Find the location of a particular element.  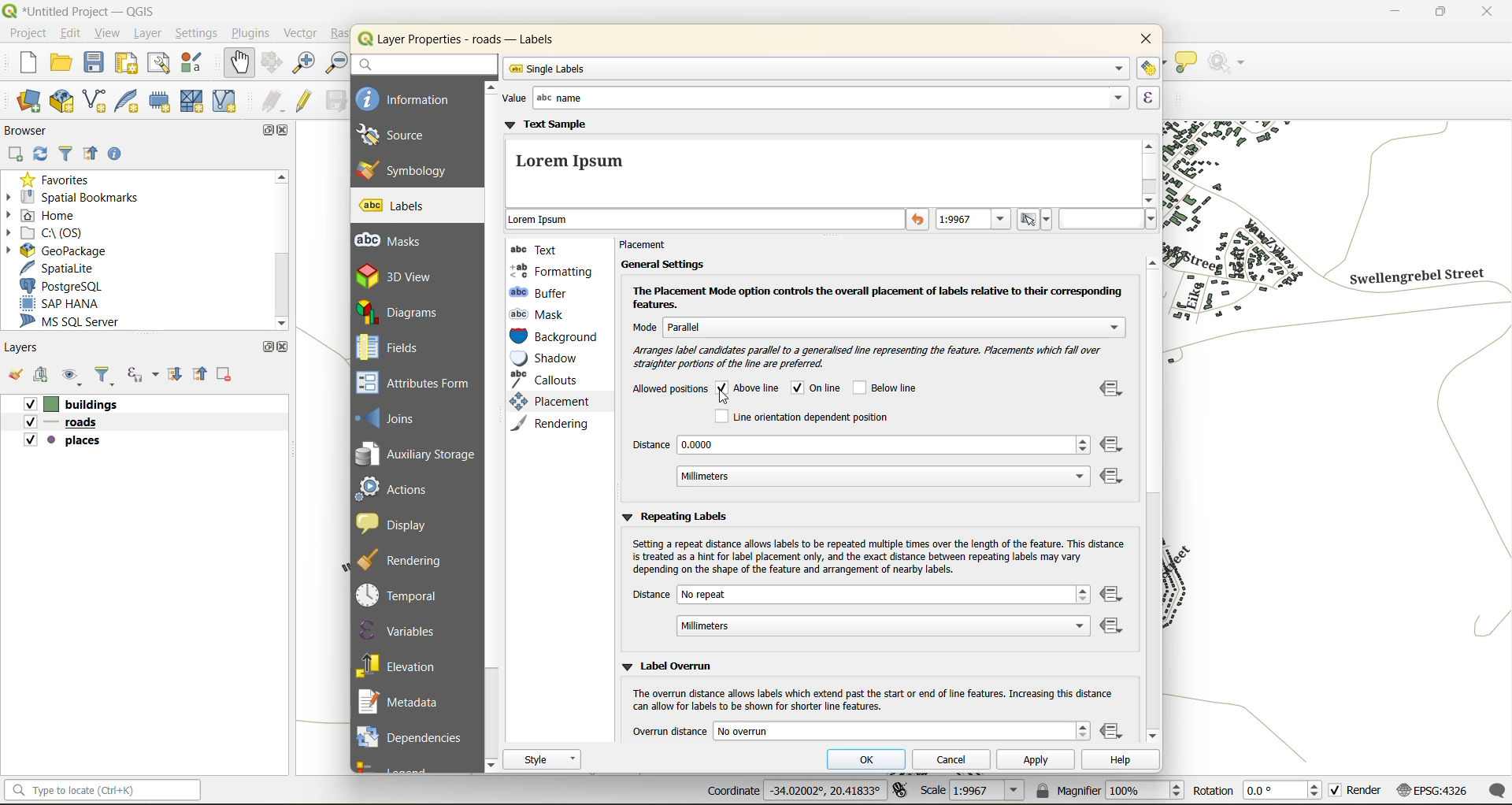

add is located at coordinates (43, 374).